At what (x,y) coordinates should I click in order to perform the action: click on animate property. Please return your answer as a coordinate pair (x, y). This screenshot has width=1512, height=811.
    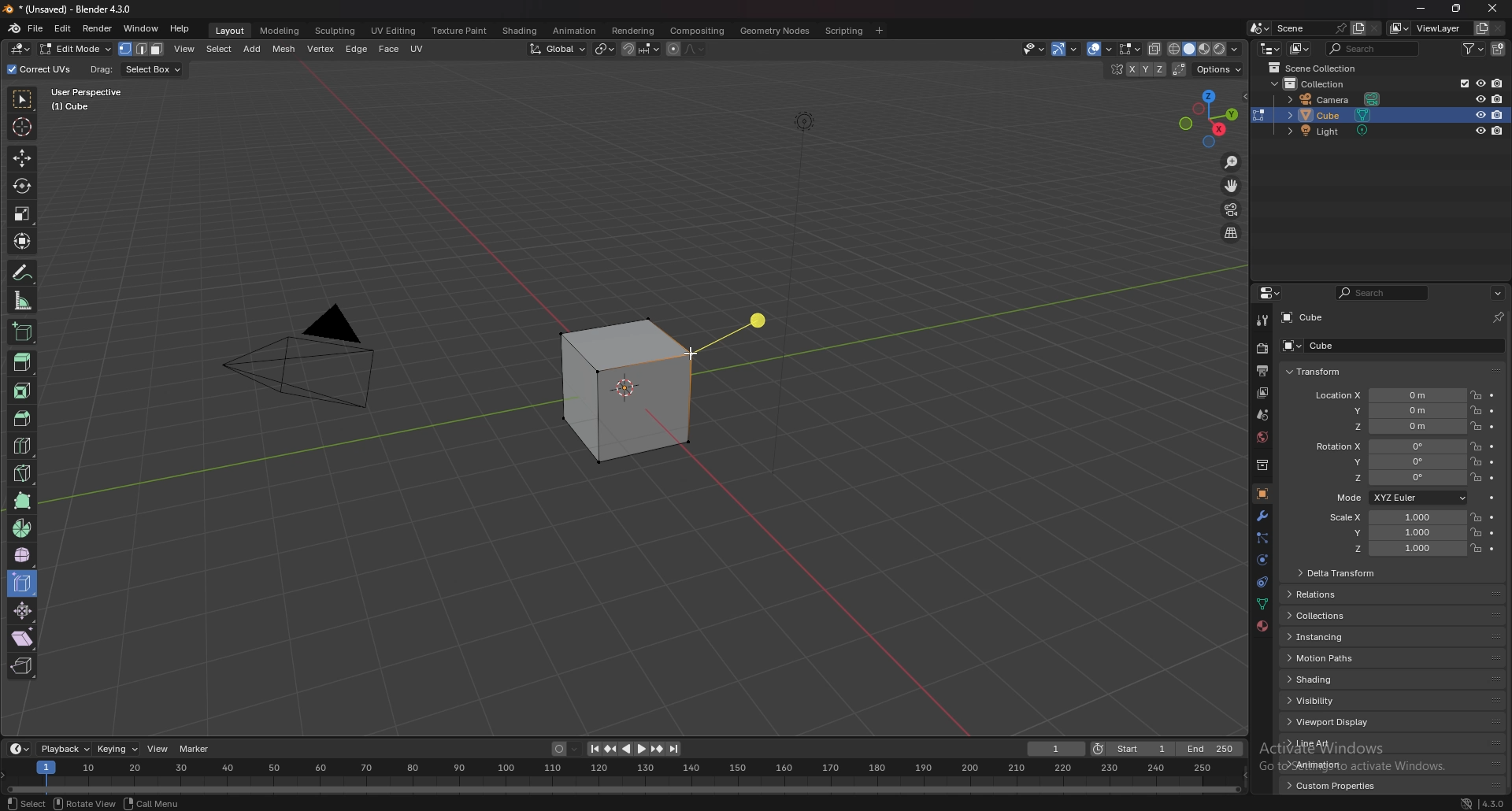
    Looking at the image, I should click on (1492, 517).